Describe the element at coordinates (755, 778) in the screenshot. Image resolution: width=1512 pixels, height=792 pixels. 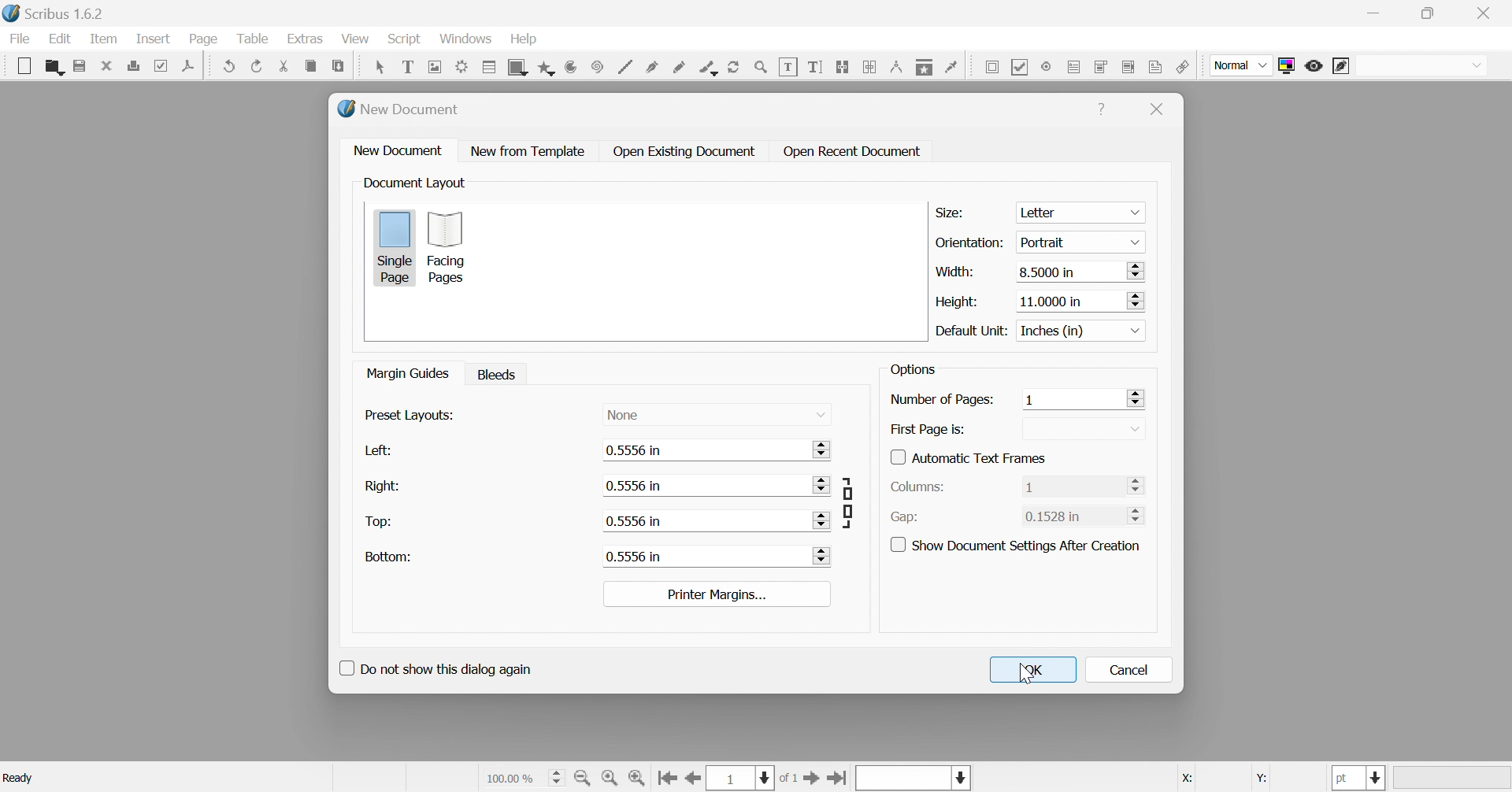
I see `select current page` at that location.